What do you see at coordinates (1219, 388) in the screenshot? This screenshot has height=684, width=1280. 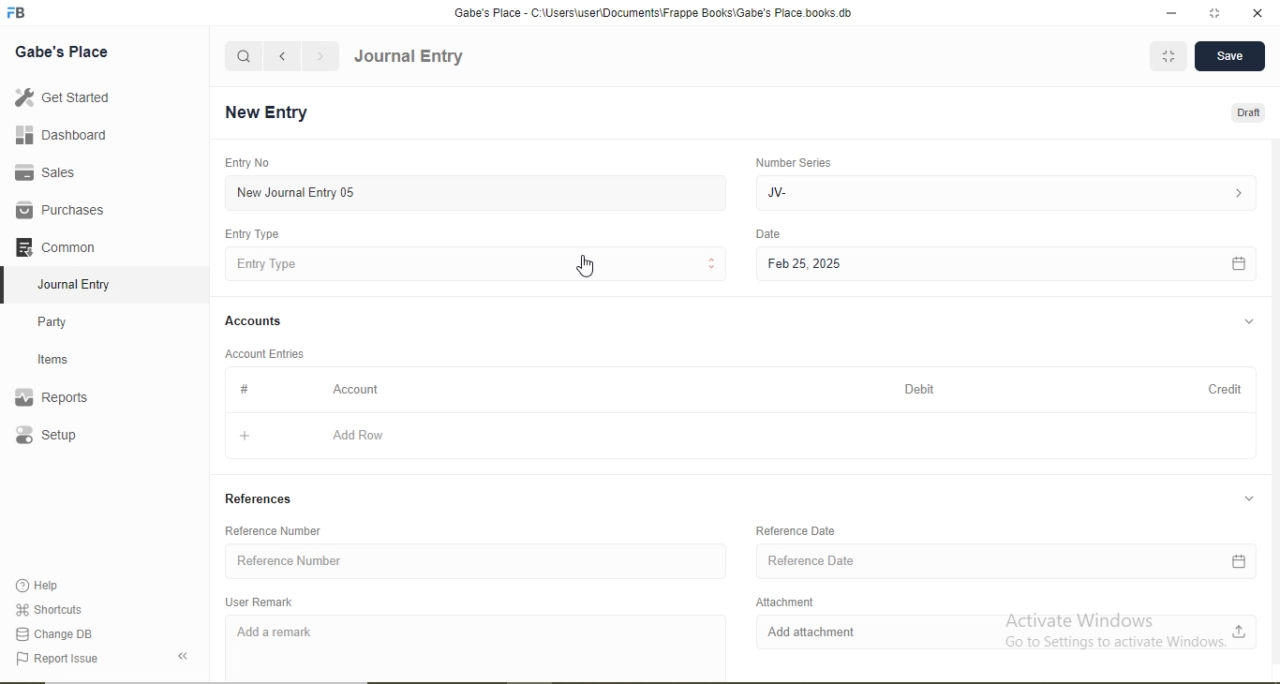 I see `Credit` at bounding box center [1219, 388].